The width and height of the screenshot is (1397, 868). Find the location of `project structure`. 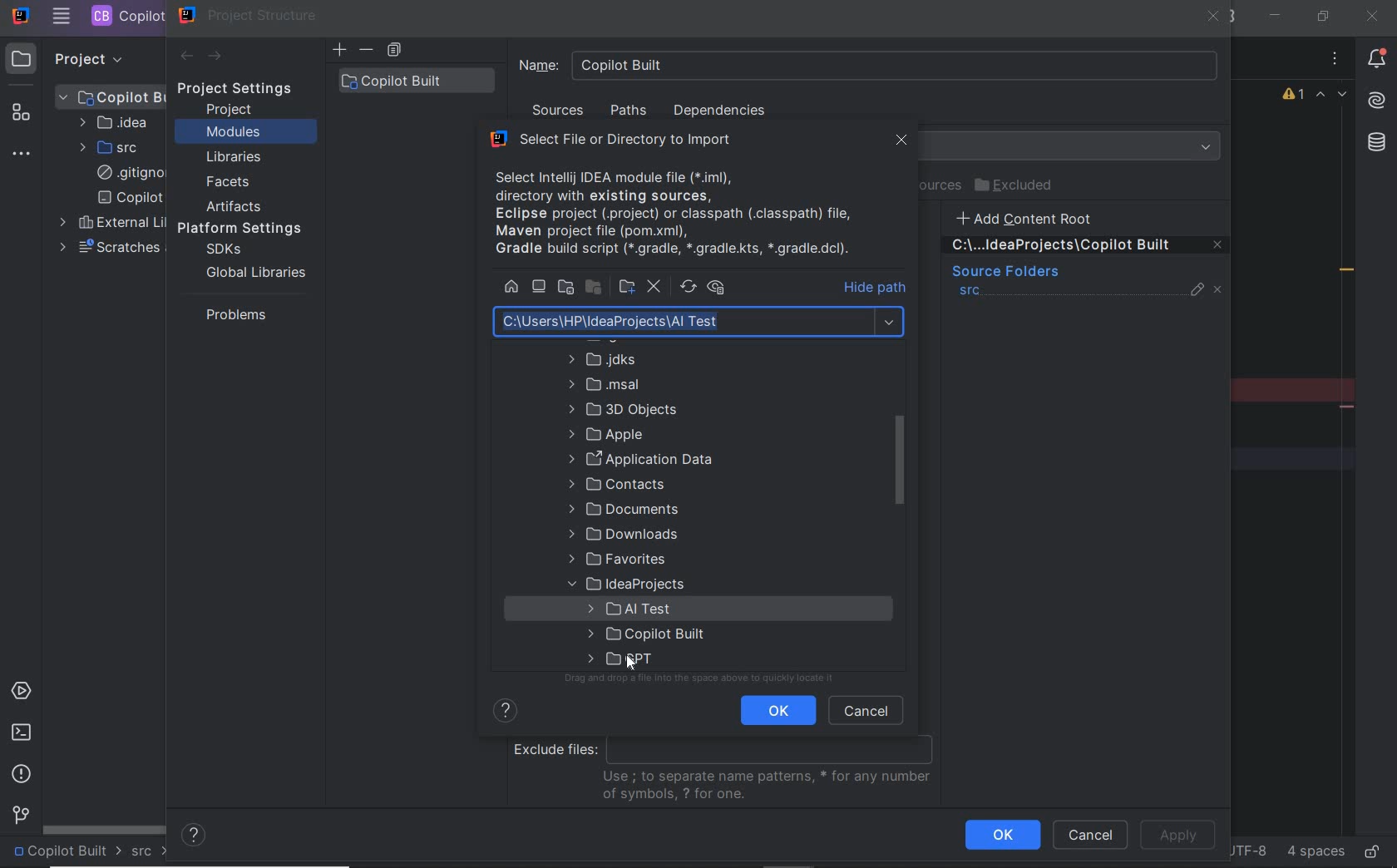

project structure is located at coordinates (249, 15).